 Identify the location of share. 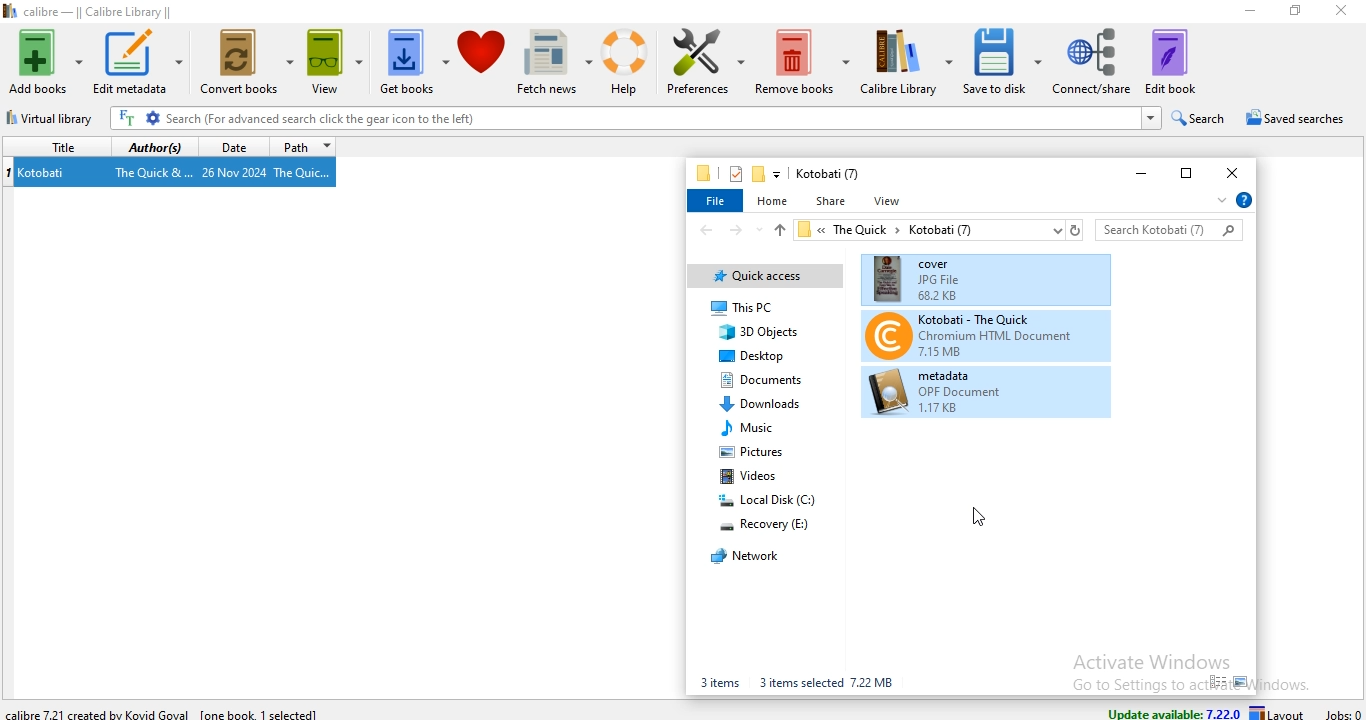
(830, 201).